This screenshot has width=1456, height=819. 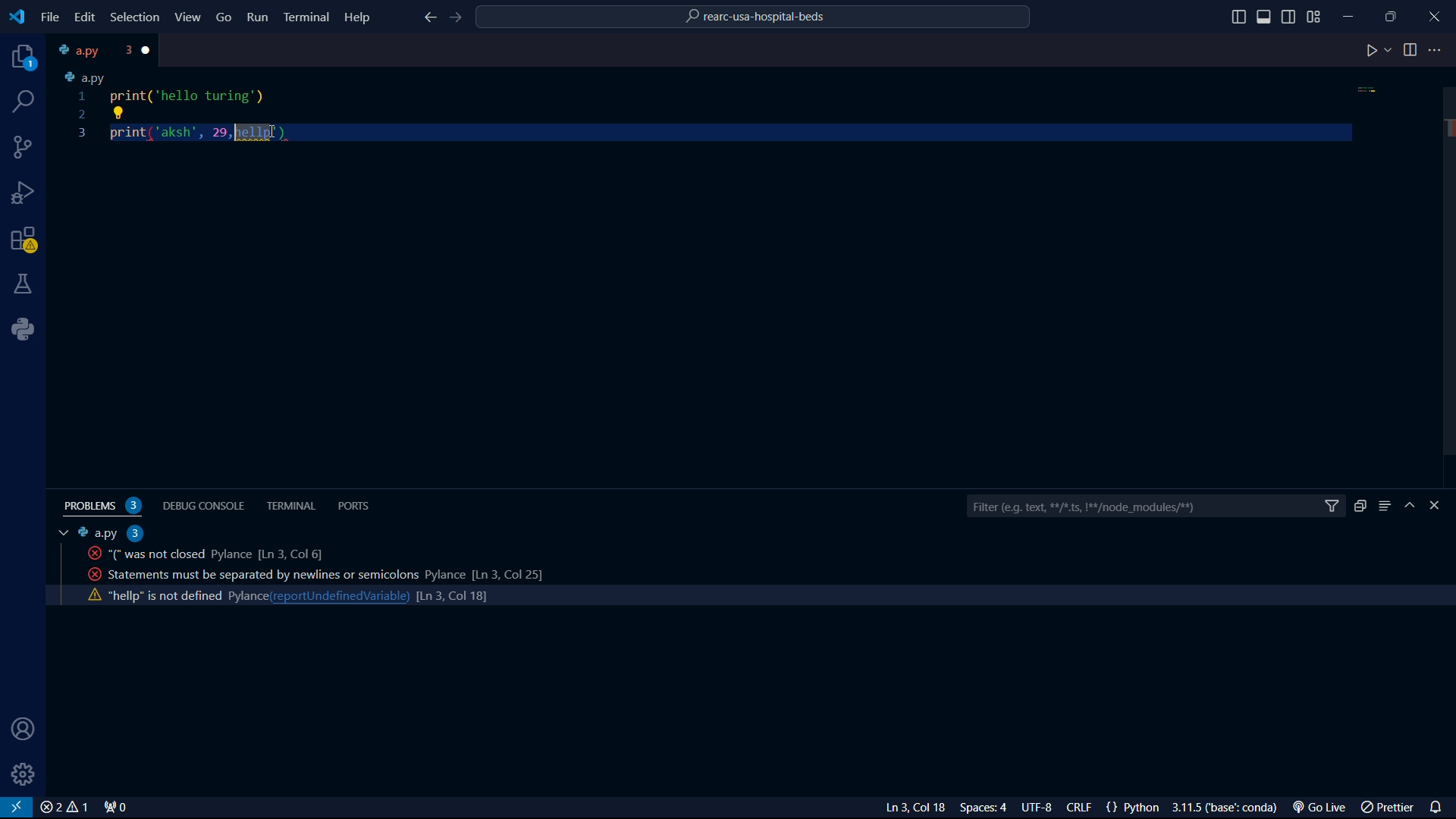 I want to click on toggle sidebar, so click(x=1290, y=15).